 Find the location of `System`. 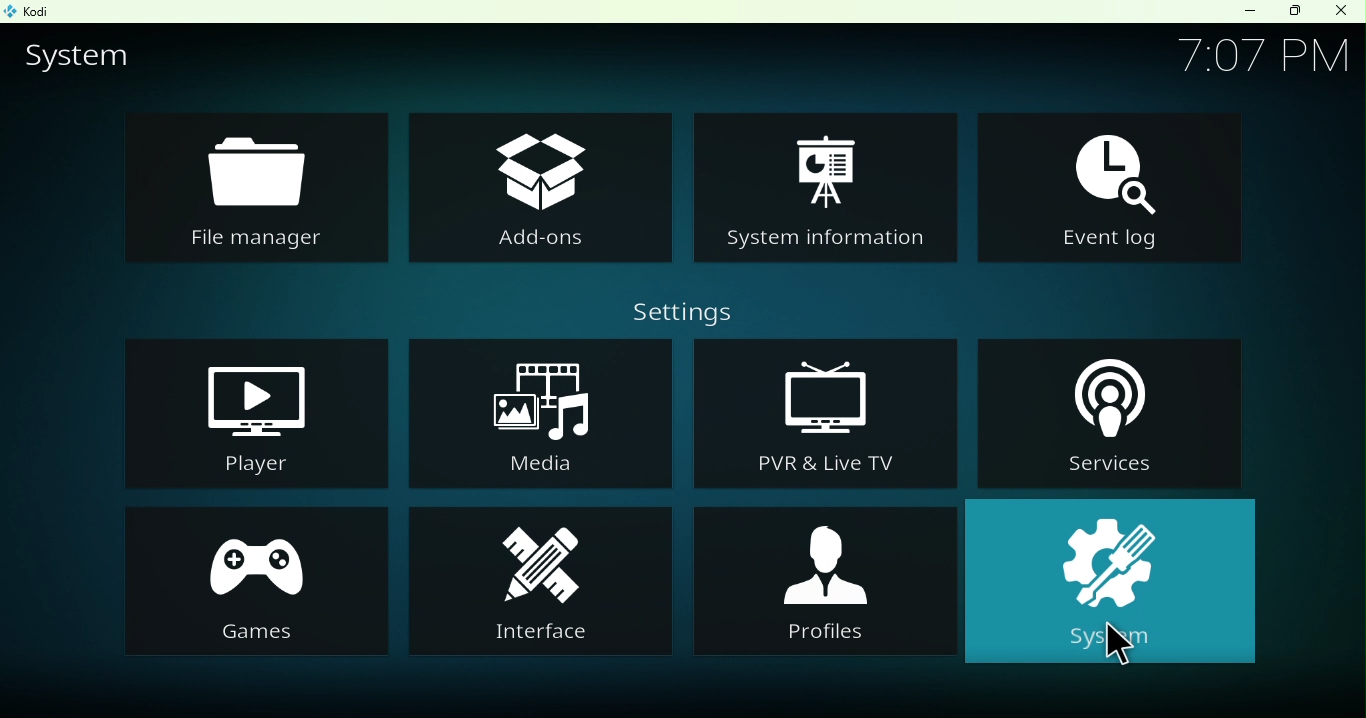

System is located at coordinates (1119, 582).